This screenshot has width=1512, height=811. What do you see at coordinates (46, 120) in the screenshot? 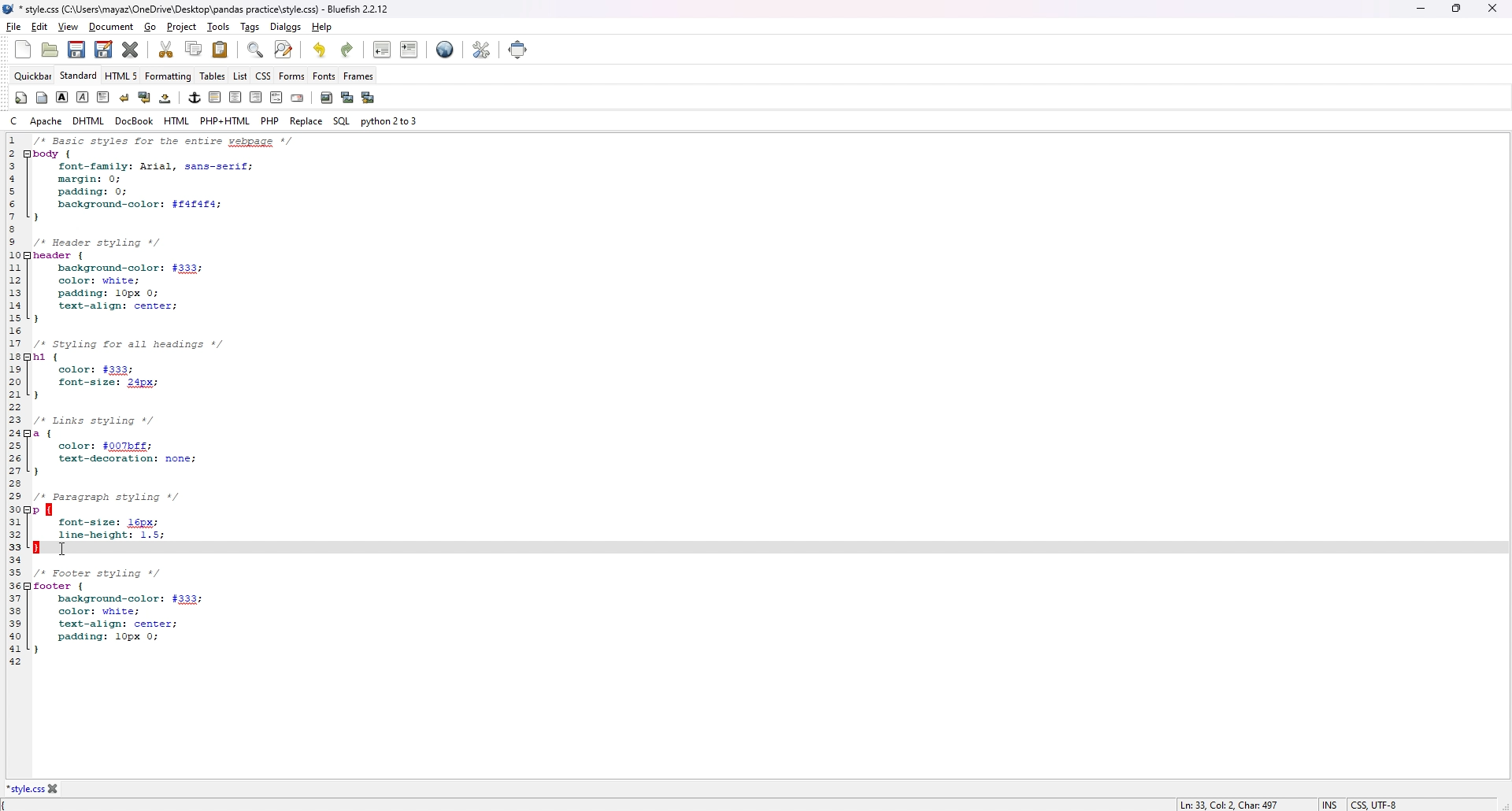
I see `apache` at bounding box center [46, 120].